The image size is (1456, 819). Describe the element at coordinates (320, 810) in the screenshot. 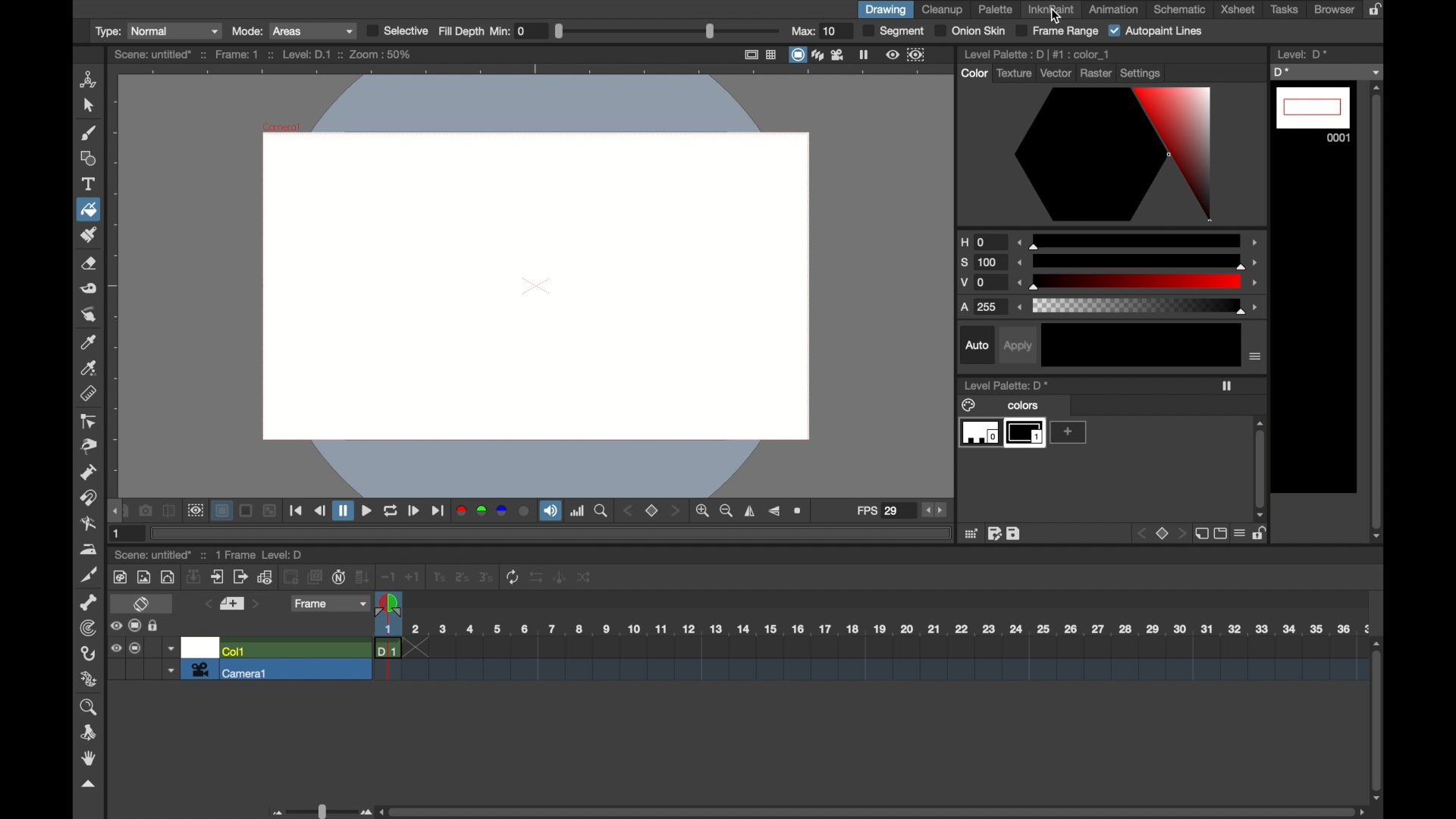

I see `slider` at that location.